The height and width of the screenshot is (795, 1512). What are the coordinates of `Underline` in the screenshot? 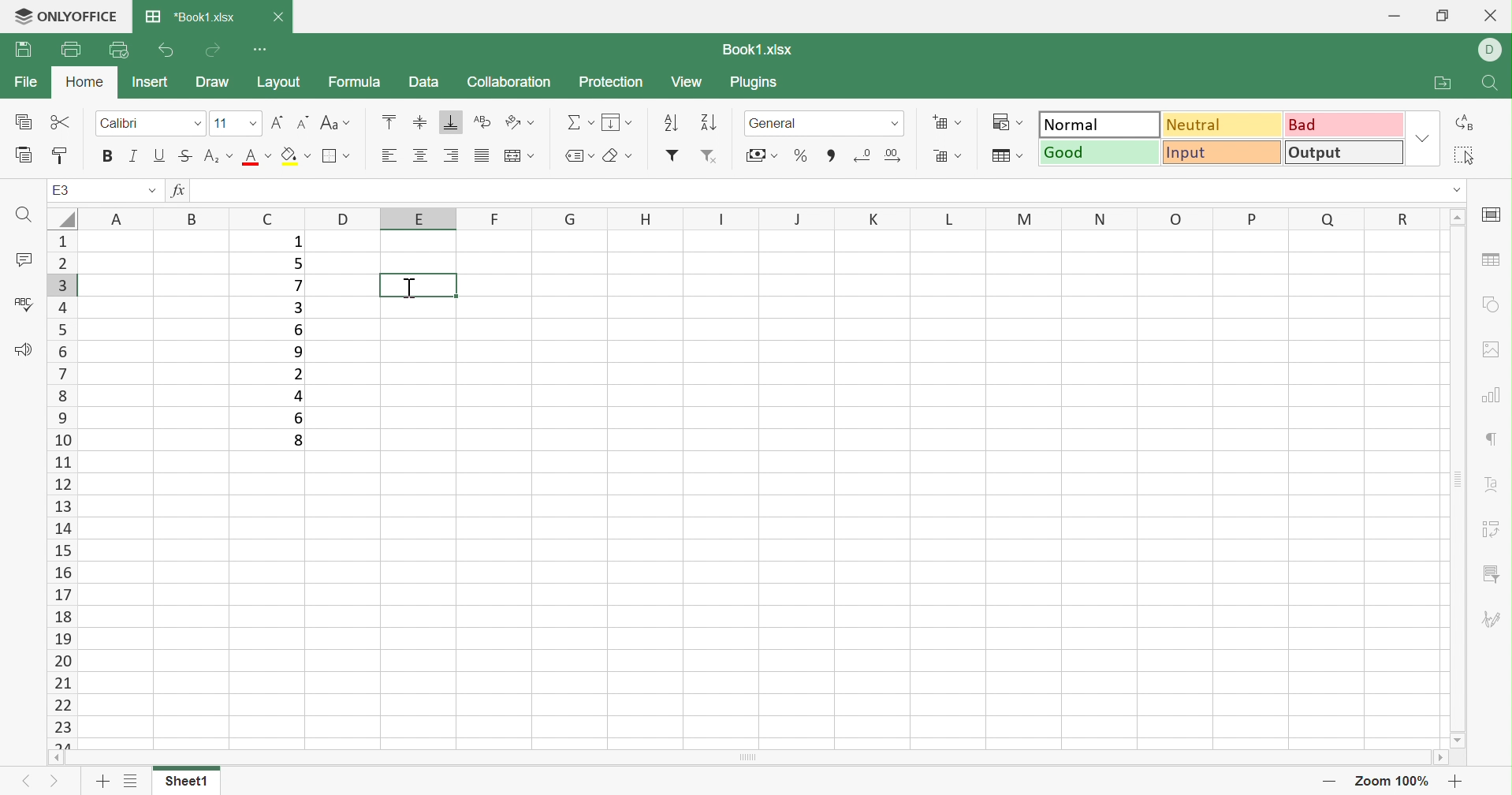 It's located at (161, 155).